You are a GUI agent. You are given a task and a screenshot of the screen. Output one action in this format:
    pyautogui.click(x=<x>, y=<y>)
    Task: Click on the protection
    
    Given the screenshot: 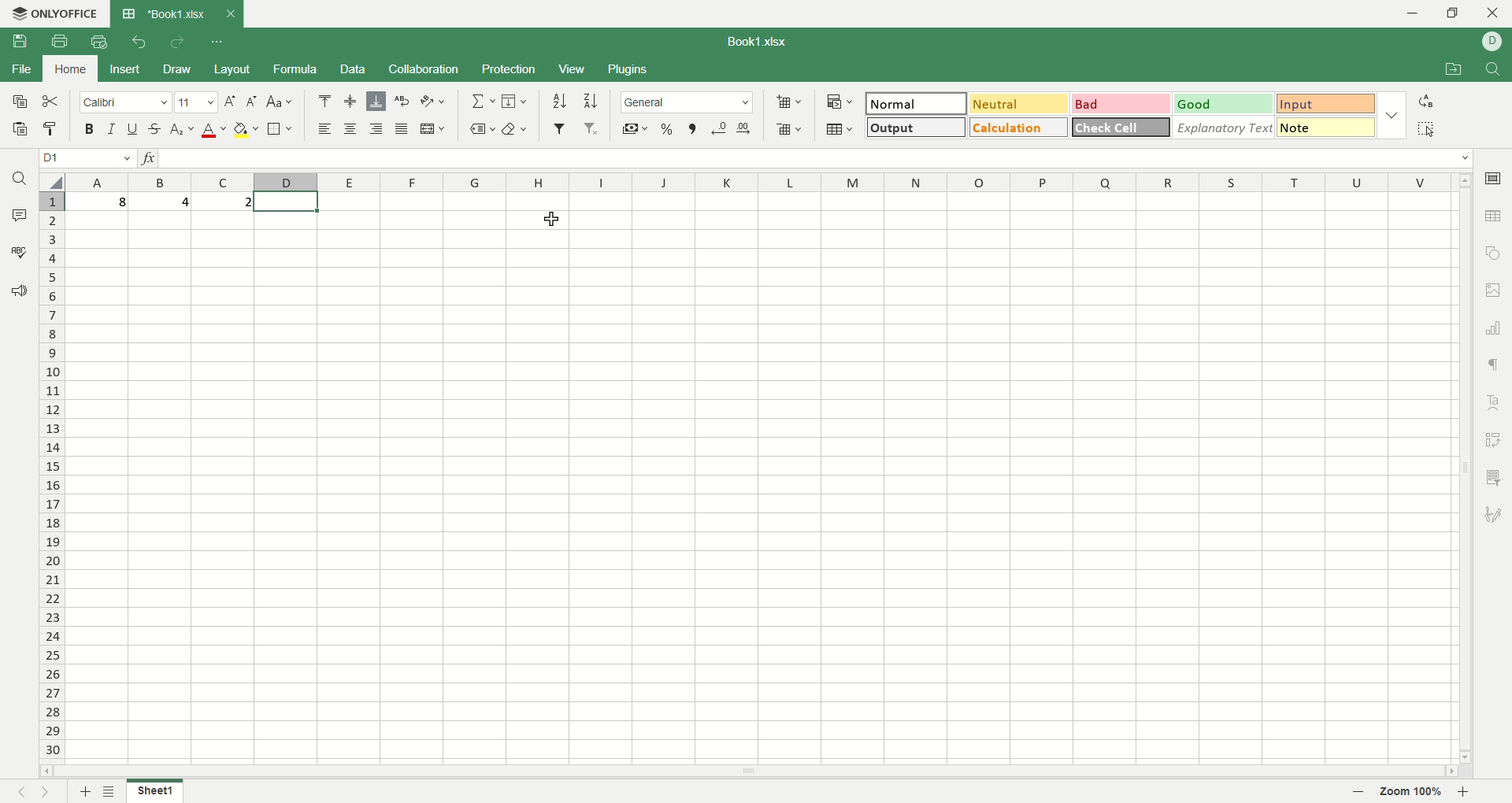 What is the action you would take?
    pyautogui.click(x=510, y=71)
    